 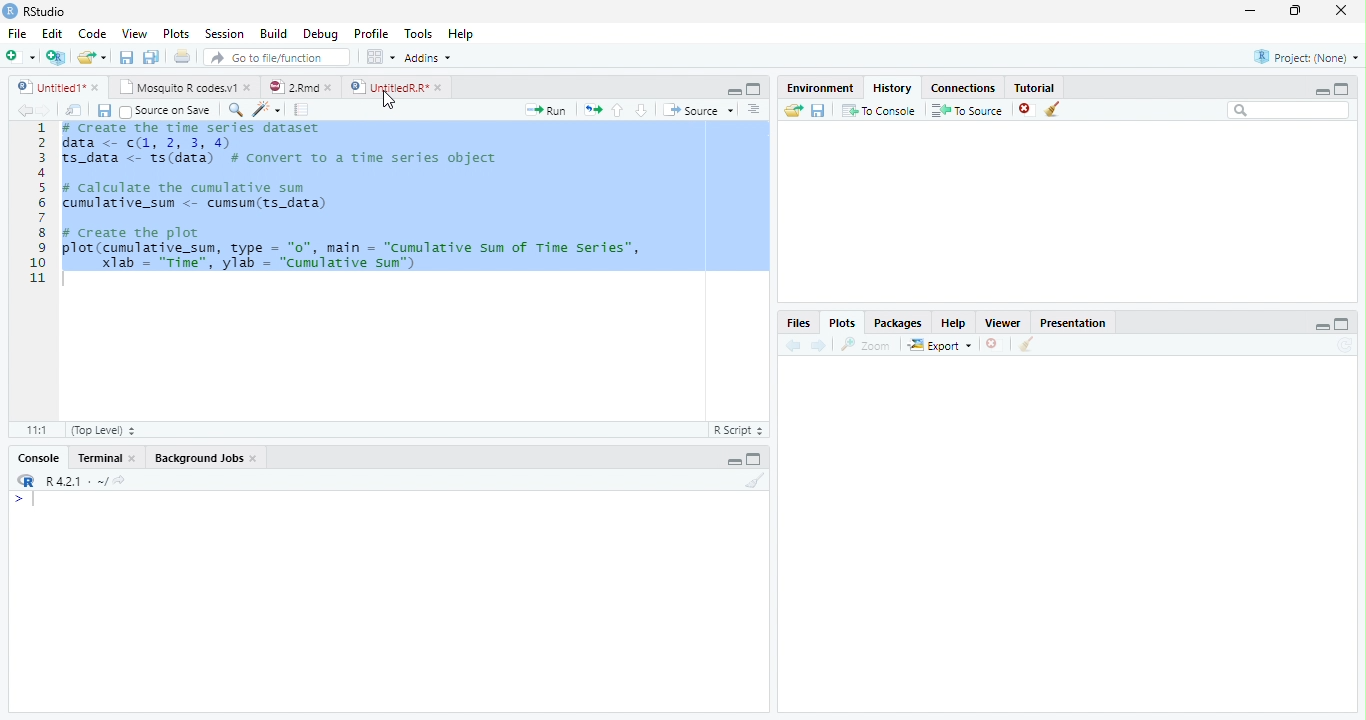 I want to click on Viewer, so click(x=1001, y=325).